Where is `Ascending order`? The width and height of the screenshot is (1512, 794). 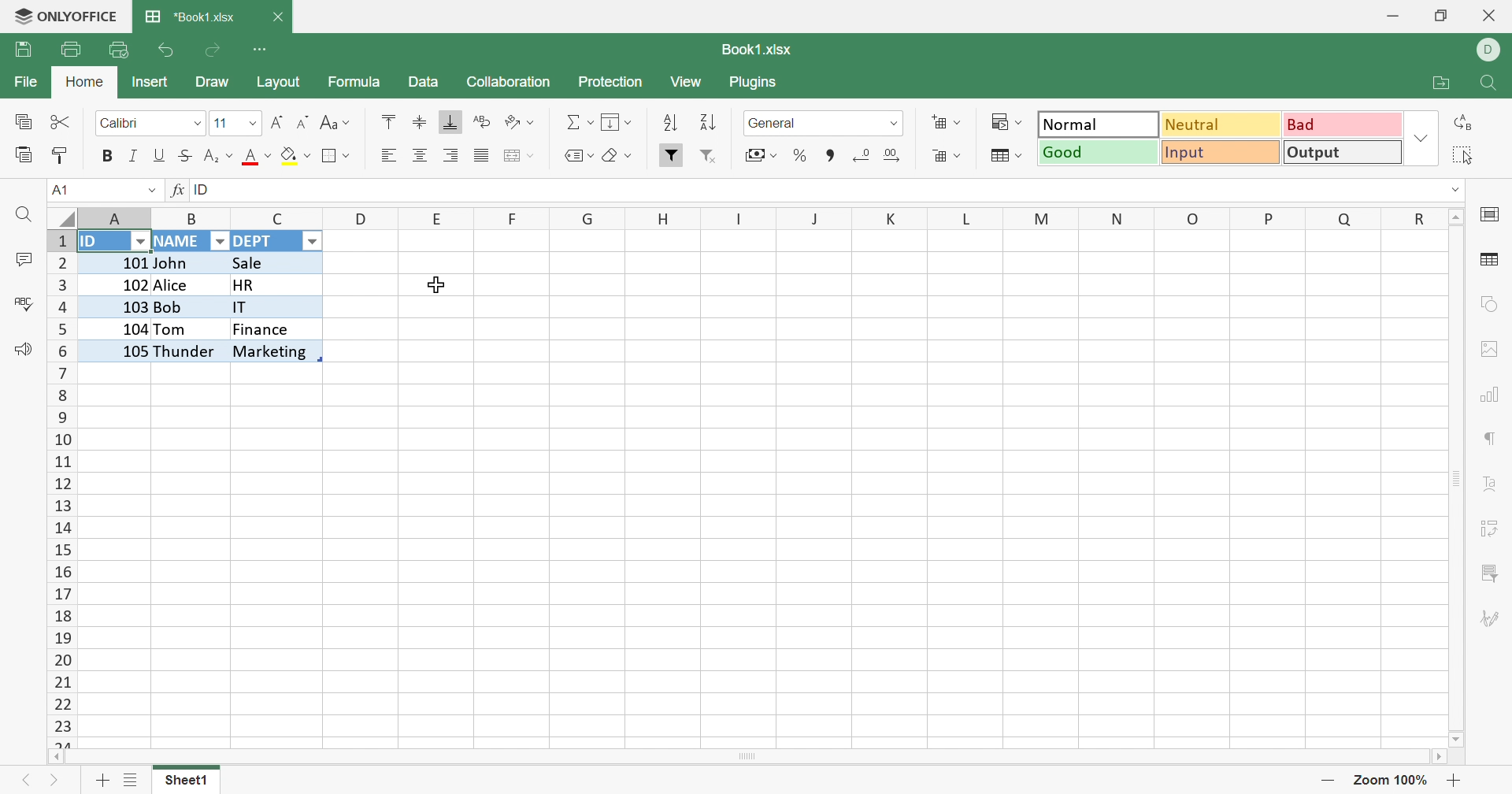
Ascending order is located at coordinates (673, 121).